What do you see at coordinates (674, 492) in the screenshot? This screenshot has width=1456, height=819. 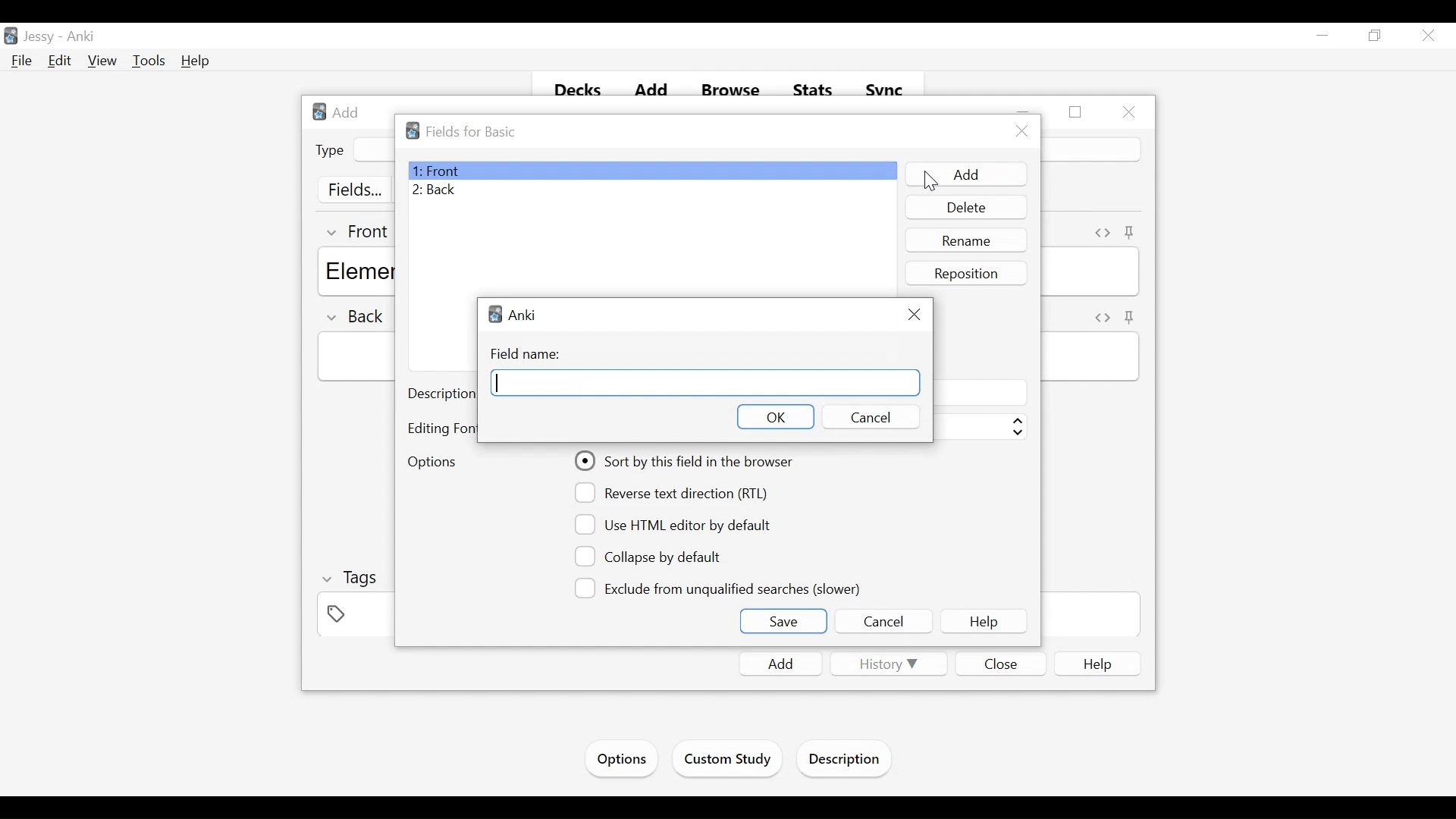 I see `(un)select reverse text direction (RTL)` at bounding box center [674, 492].